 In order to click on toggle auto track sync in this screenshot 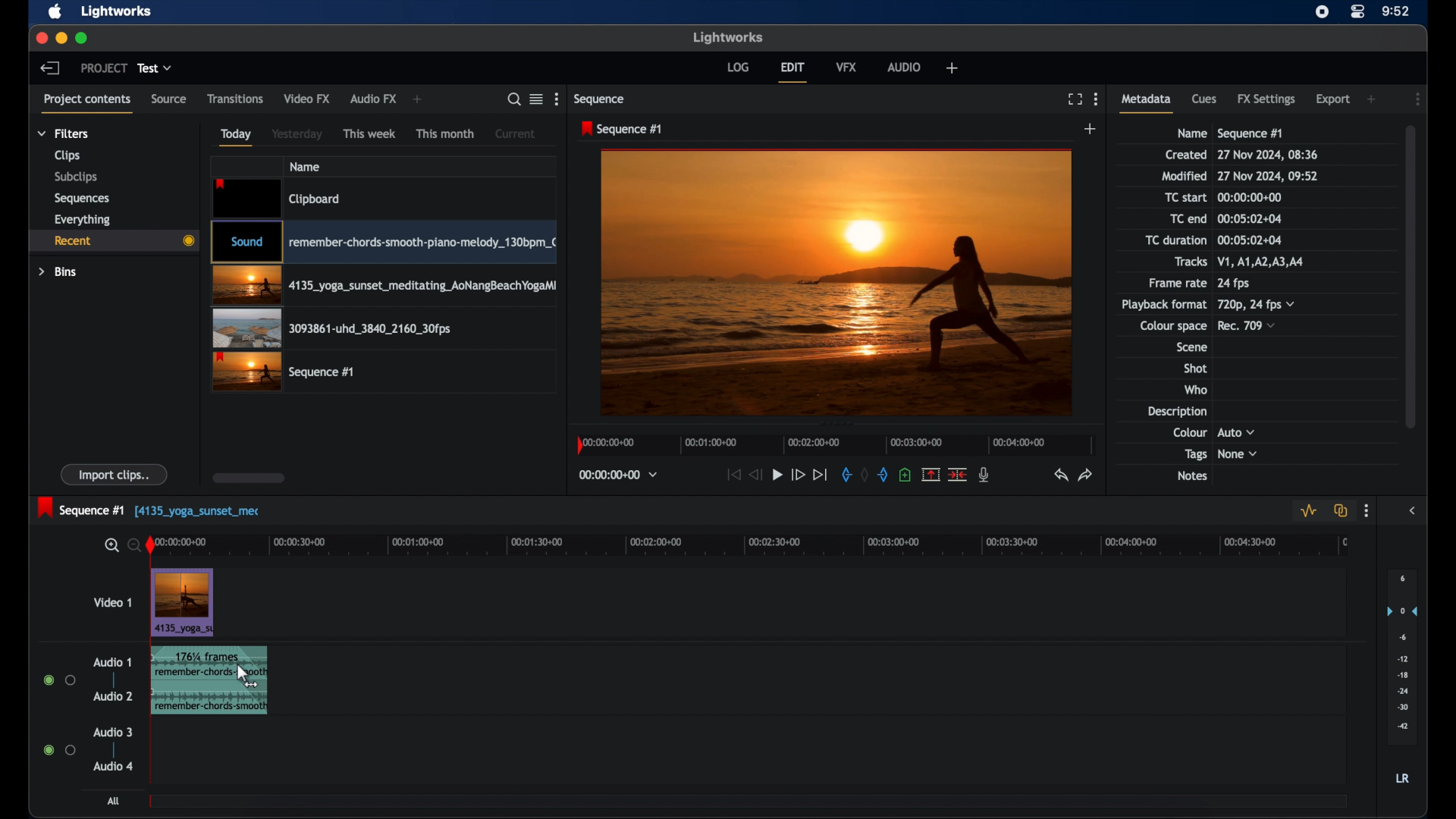, I will do `click(1341, 510)`.